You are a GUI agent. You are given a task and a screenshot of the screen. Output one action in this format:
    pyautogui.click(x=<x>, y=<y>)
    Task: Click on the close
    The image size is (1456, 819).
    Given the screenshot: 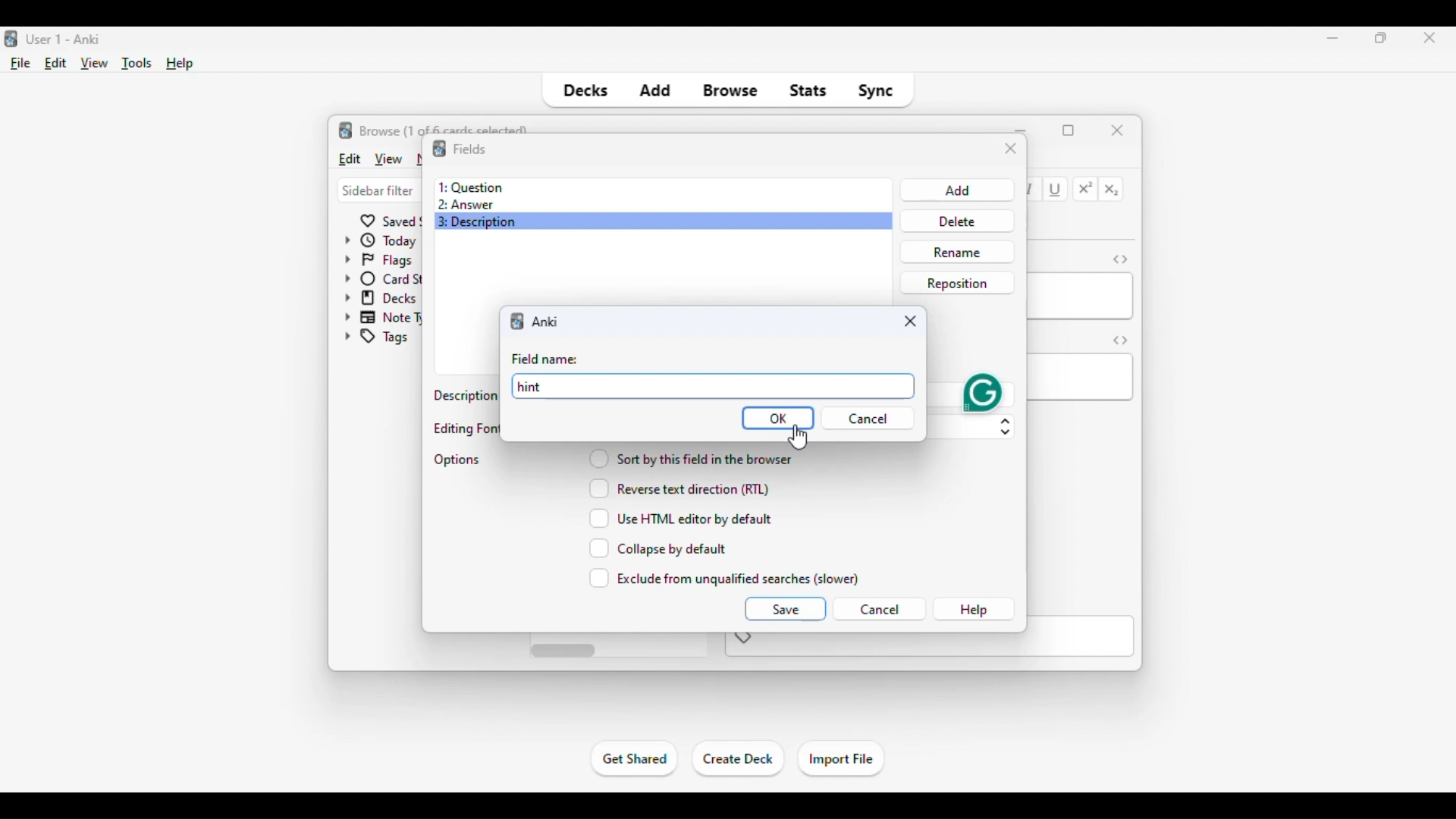 What is the action you would take?
    pyautogui.click(x=910, y=322)
    